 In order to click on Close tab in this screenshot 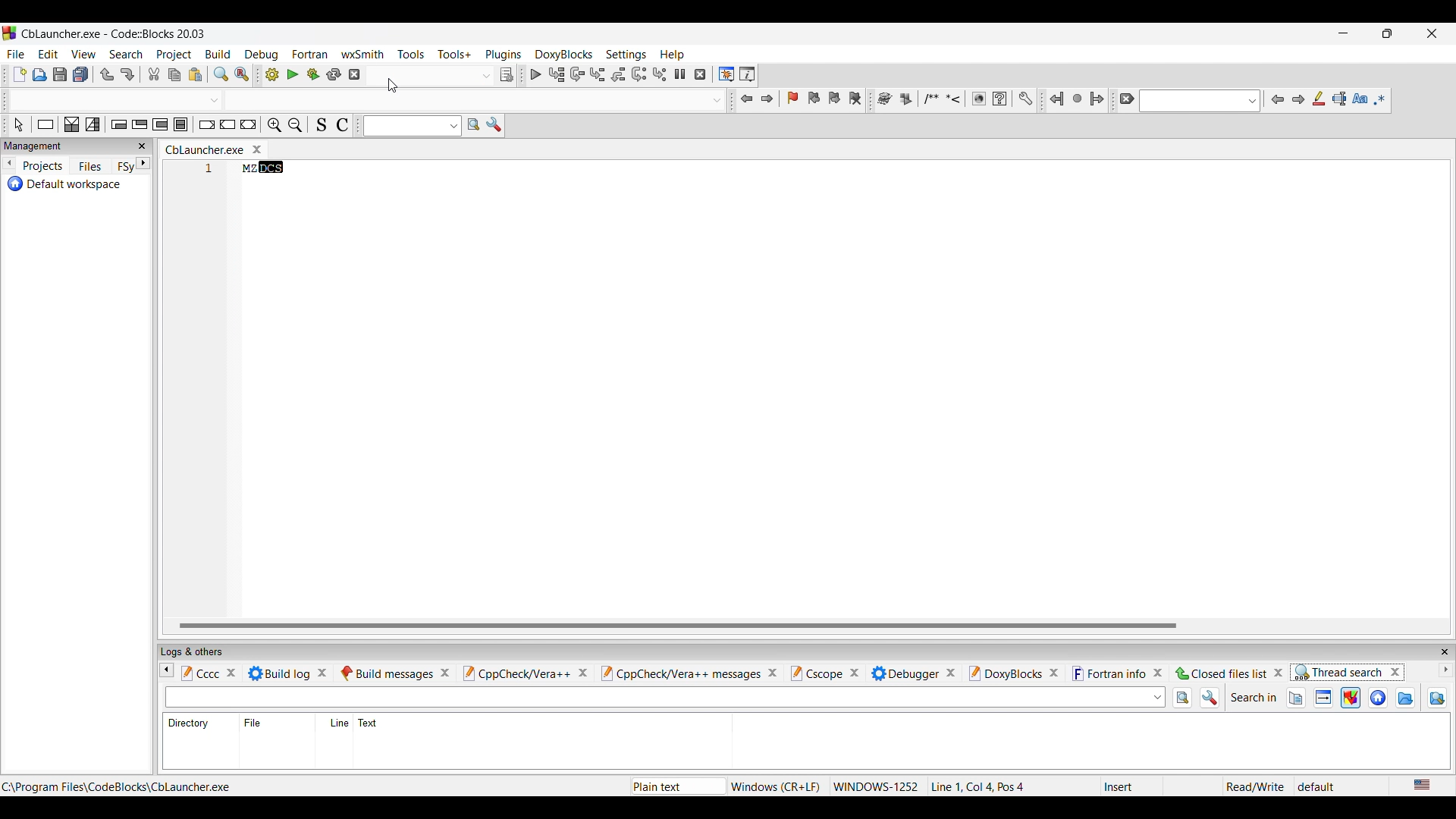, I will do `click(583, 673)`.